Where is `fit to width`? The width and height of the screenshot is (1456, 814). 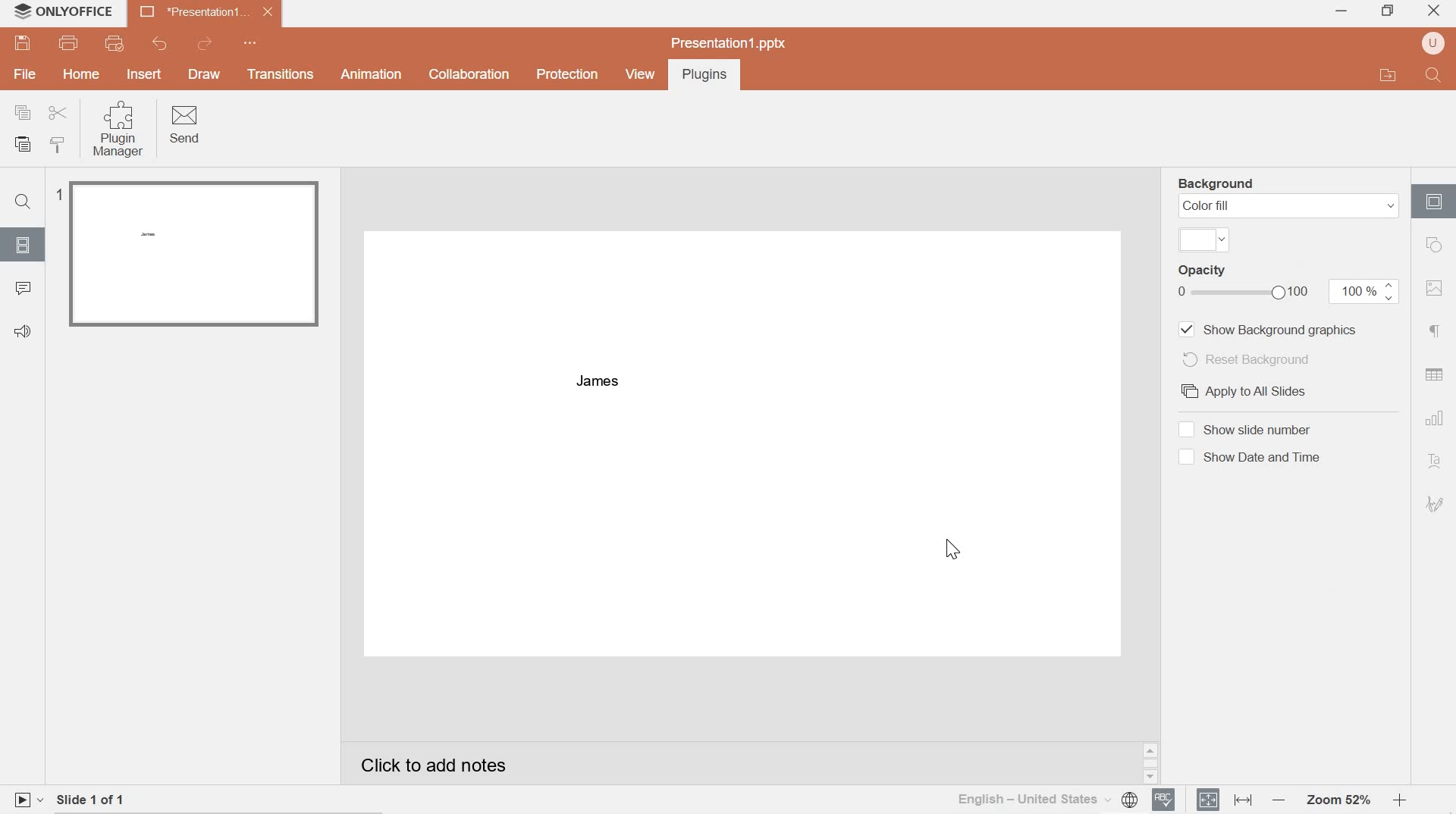
fit to width is located at coordinates (1241, 800).